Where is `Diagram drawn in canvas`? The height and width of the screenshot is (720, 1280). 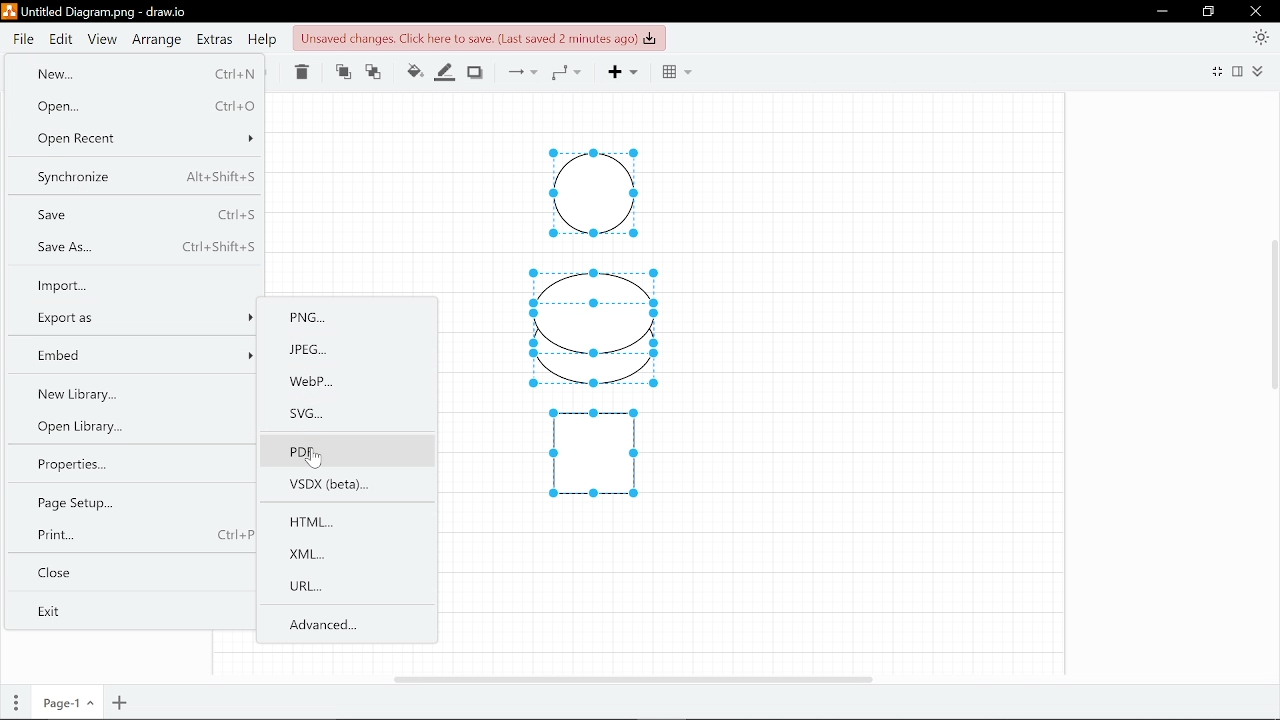
Diagram drawn in canvas is located at coordinates (602, 332).